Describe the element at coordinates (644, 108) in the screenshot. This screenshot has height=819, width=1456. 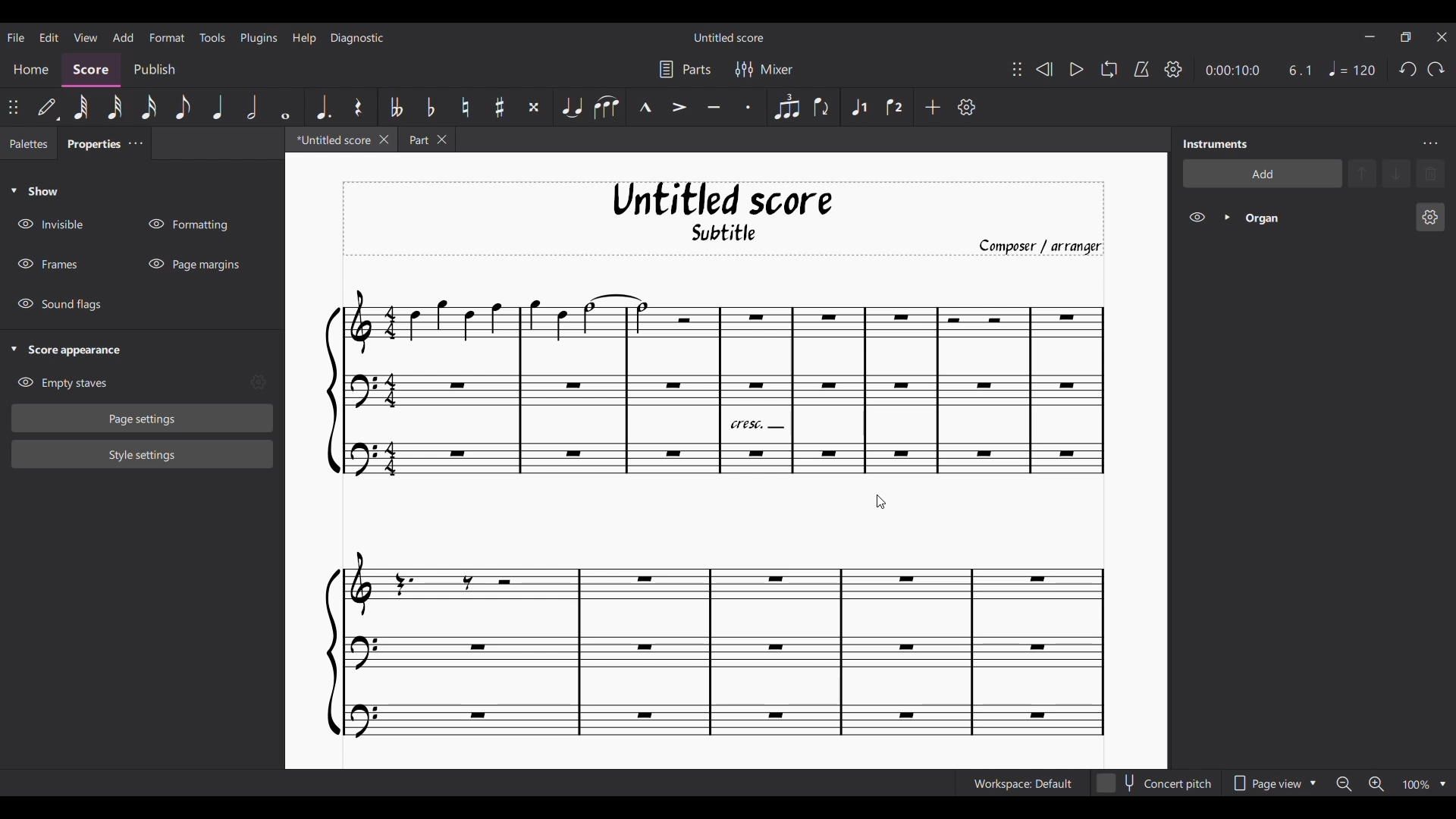
I see `Marcato` at that location.